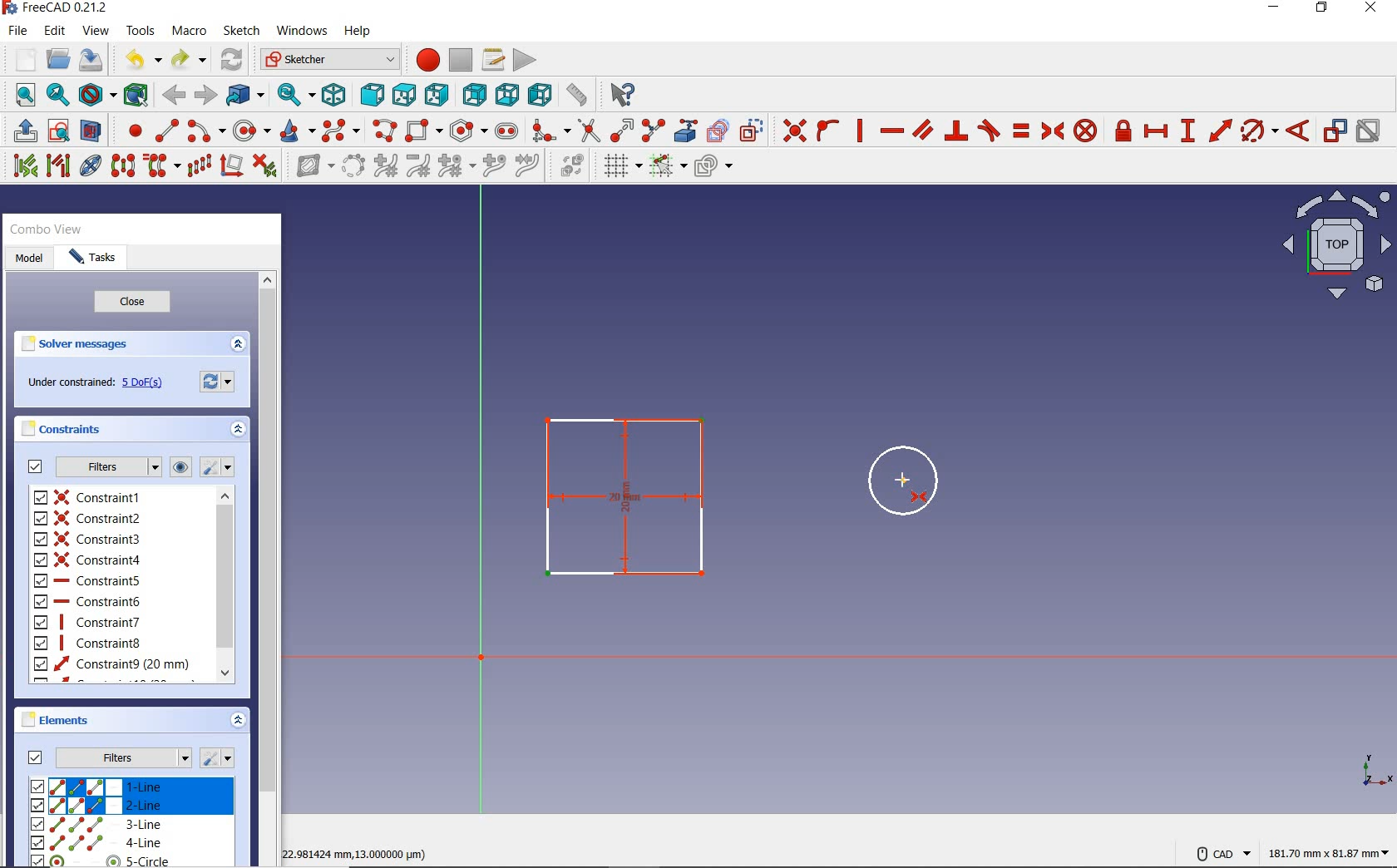  I want to click on circle, so click(891, 486).